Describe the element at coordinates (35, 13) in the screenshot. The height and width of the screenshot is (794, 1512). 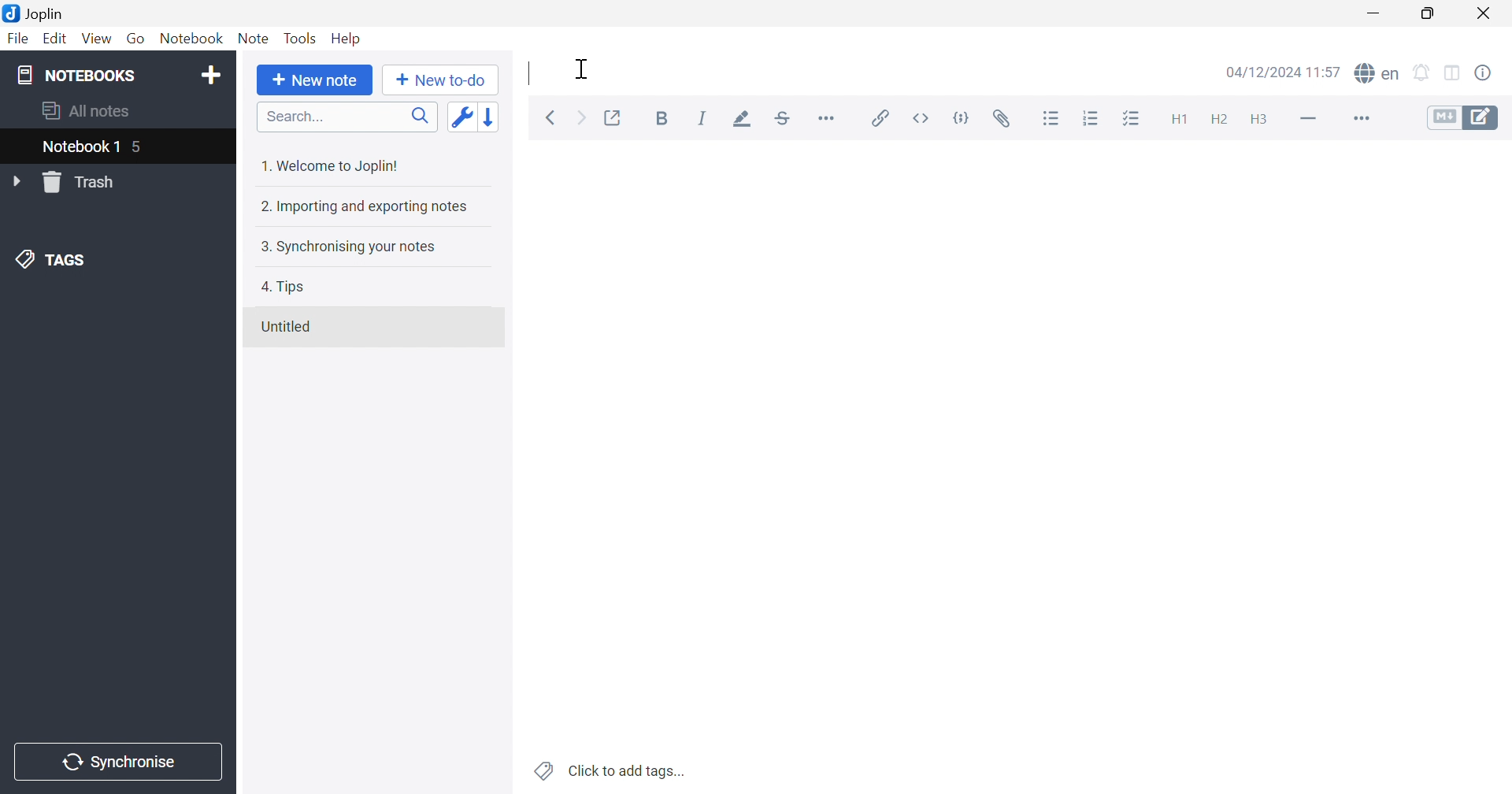
I see `Joplin` at that location.